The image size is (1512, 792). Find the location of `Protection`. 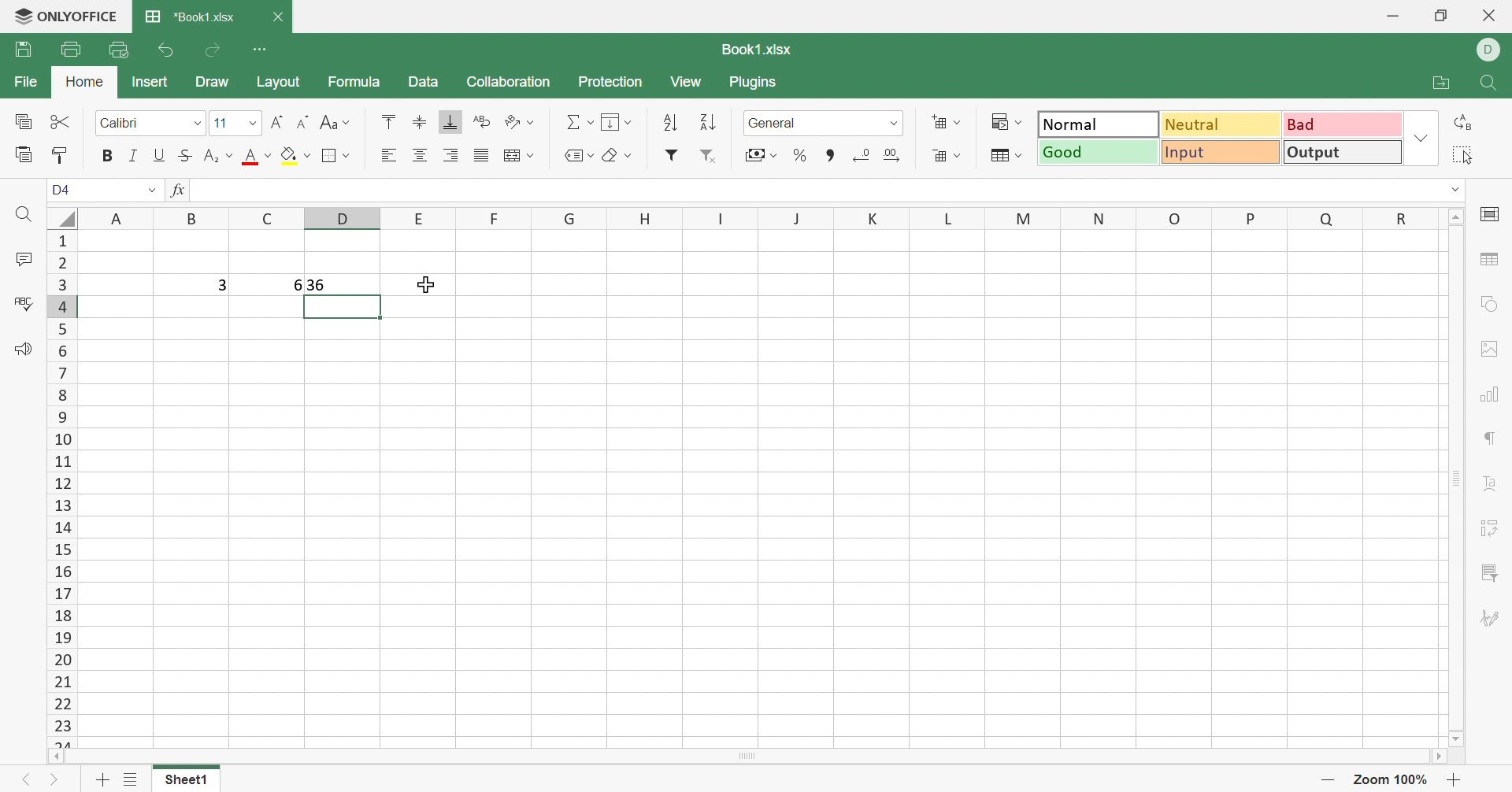

Protection is located at coordinates (610, 82).